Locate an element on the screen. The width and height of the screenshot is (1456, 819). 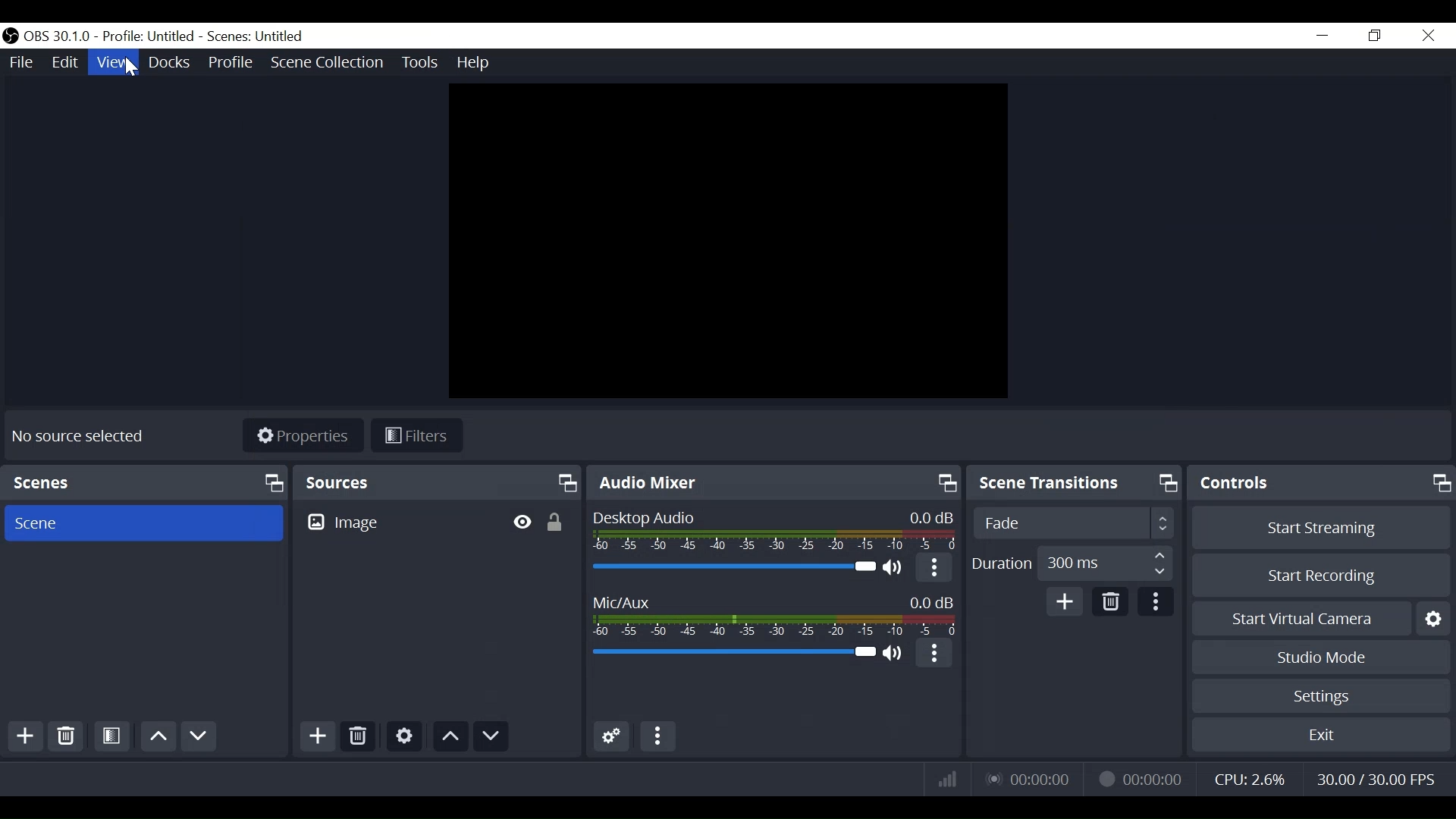
Docks is located at coordinates (169, 63).